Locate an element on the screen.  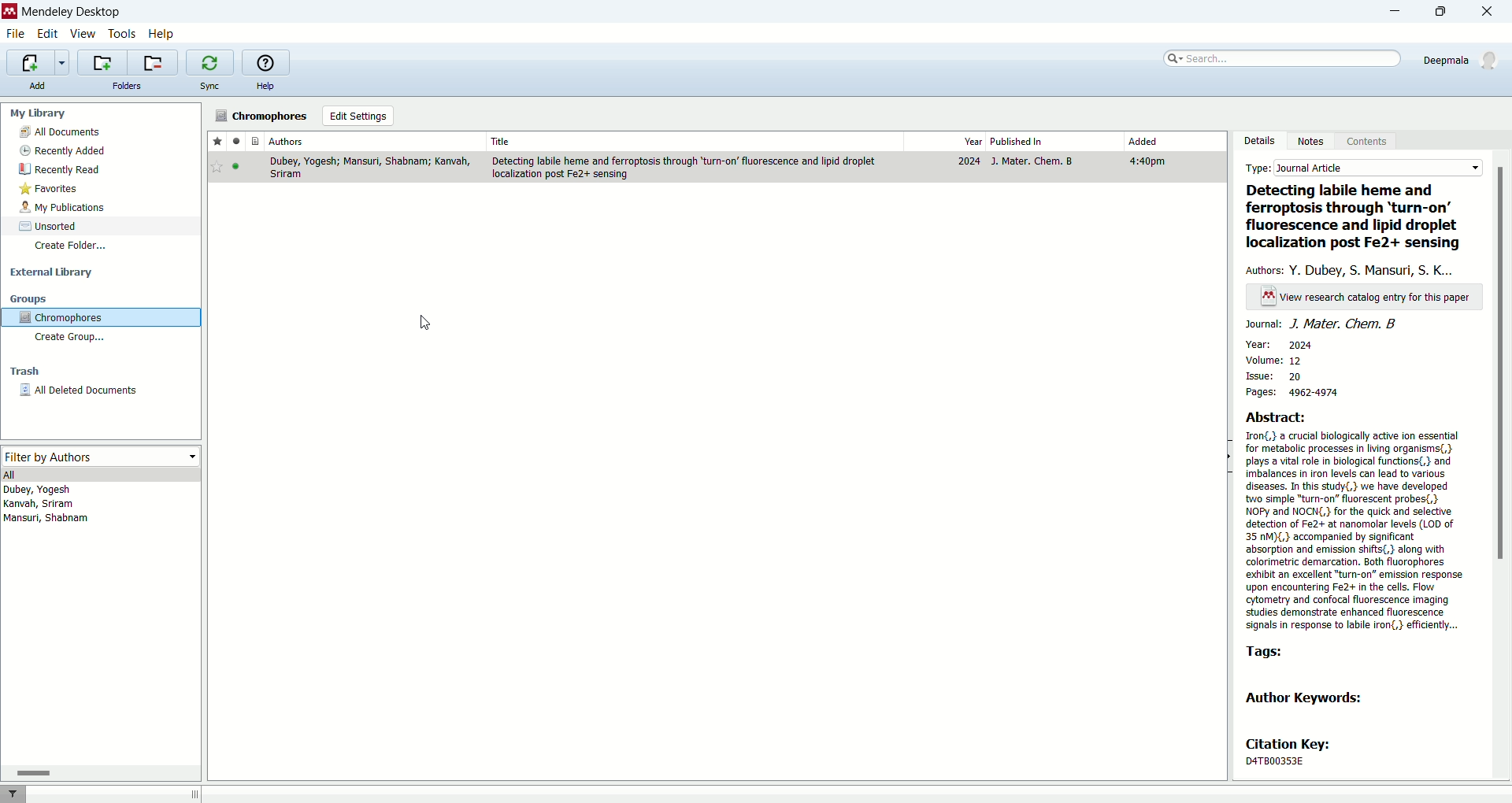
vertical scroll bar is located at coordinates (1503, 464).